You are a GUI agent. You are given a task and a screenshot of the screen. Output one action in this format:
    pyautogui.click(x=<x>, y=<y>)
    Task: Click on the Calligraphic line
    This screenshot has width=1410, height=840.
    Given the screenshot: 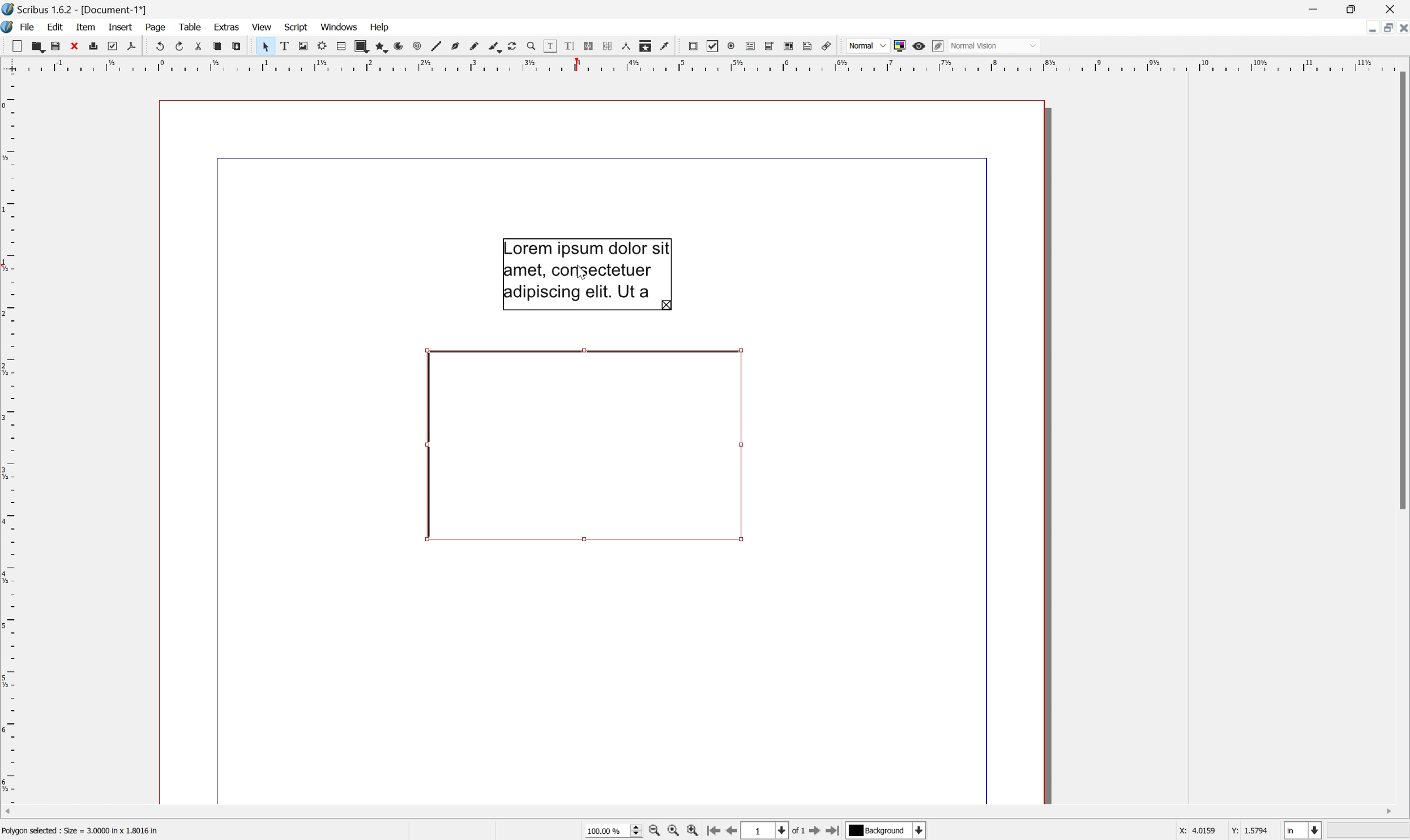 What is the action you would take?
    pyautogui.click(x=494, y=48)
    